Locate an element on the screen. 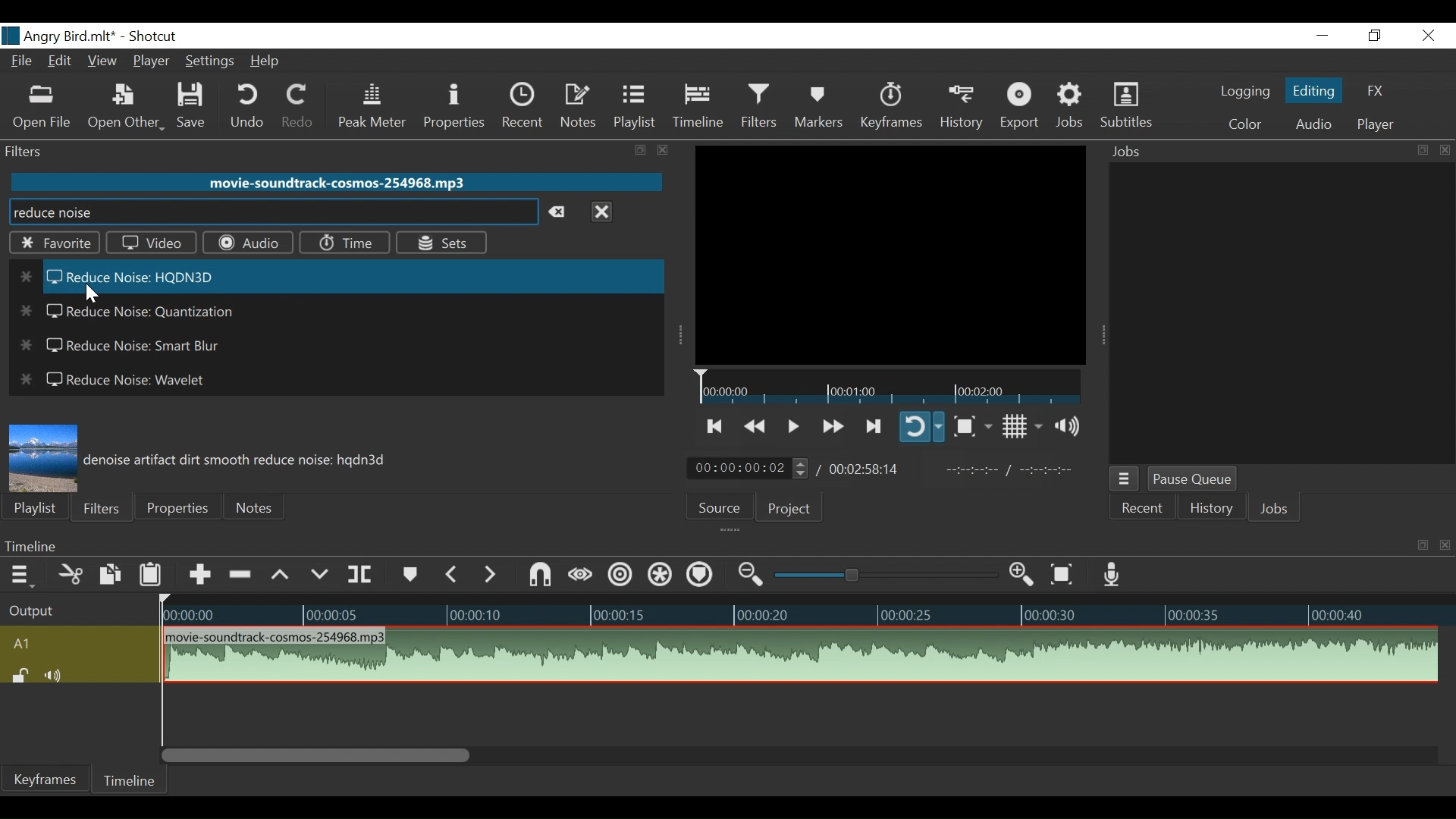  Peak Meter is located at coordinates (372, 106).